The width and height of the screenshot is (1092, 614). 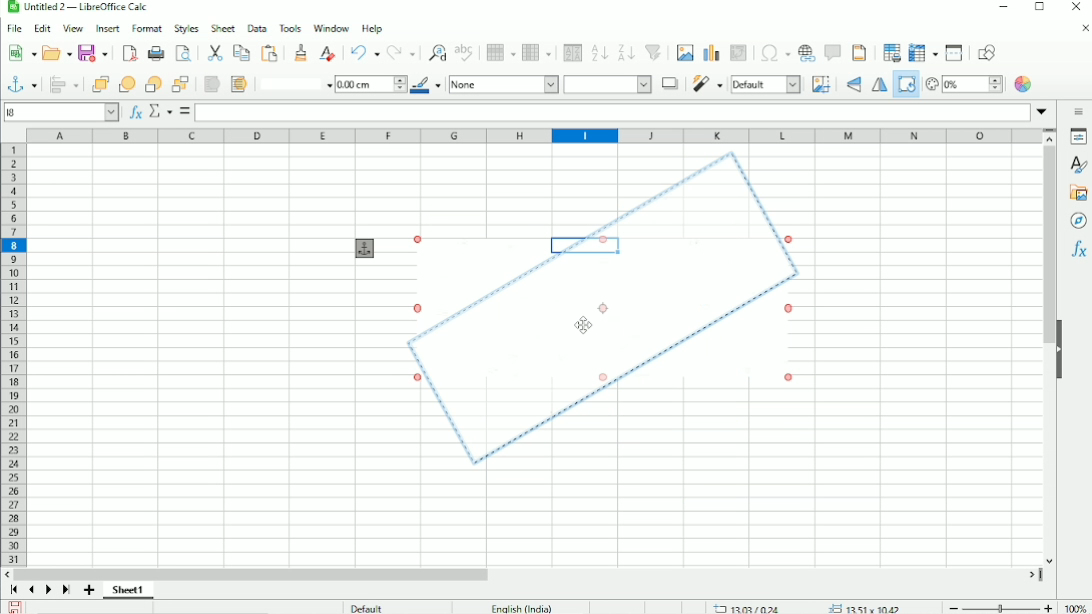 What do you see at coordinates (401, 53) in the screenshot?
I see `Redo` at bounding box center [401, 53].